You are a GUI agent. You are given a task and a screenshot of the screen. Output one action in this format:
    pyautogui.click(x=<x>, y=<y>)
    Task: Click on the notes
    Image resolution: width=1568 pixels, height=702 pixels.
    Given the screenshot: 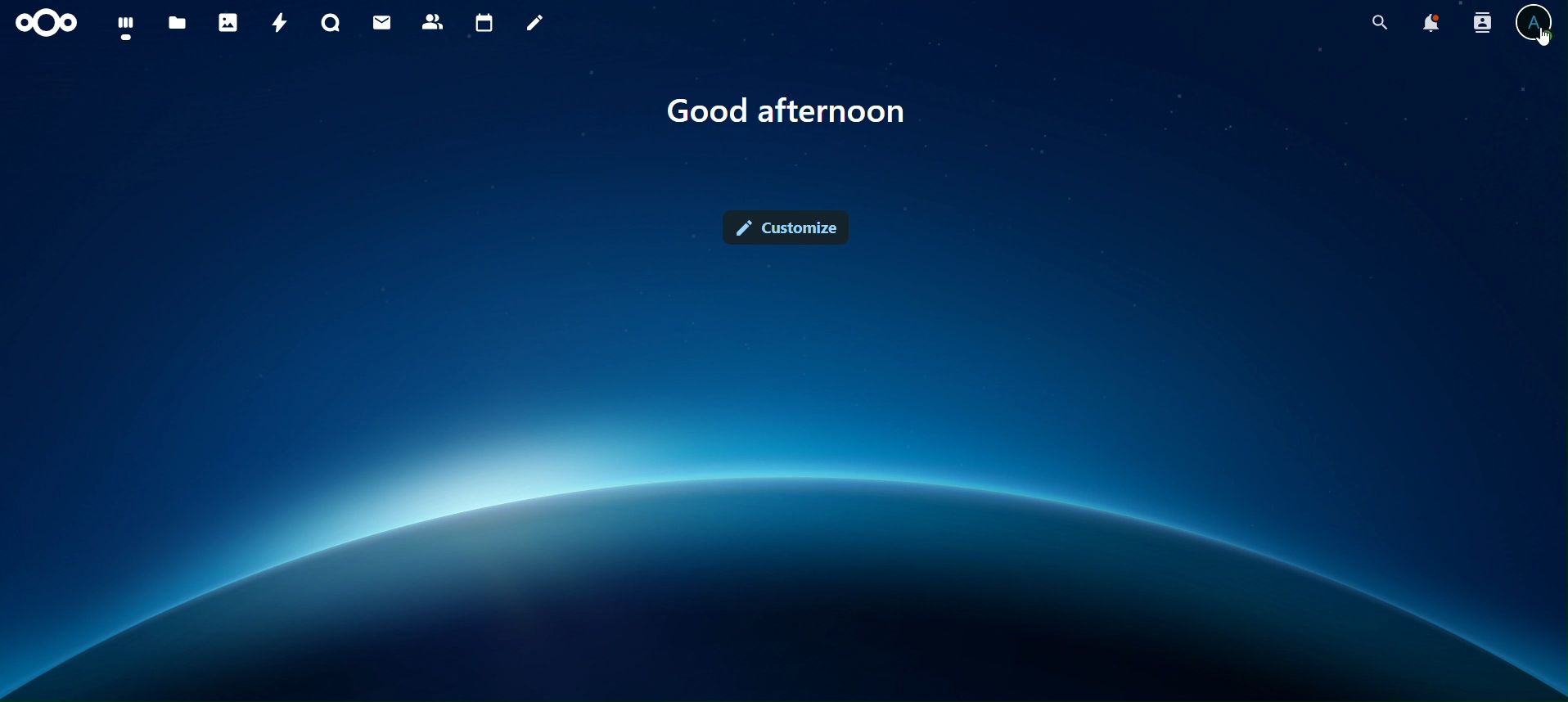 What is the action you would take?
    pyautogui.click(x=535, y=25)
    